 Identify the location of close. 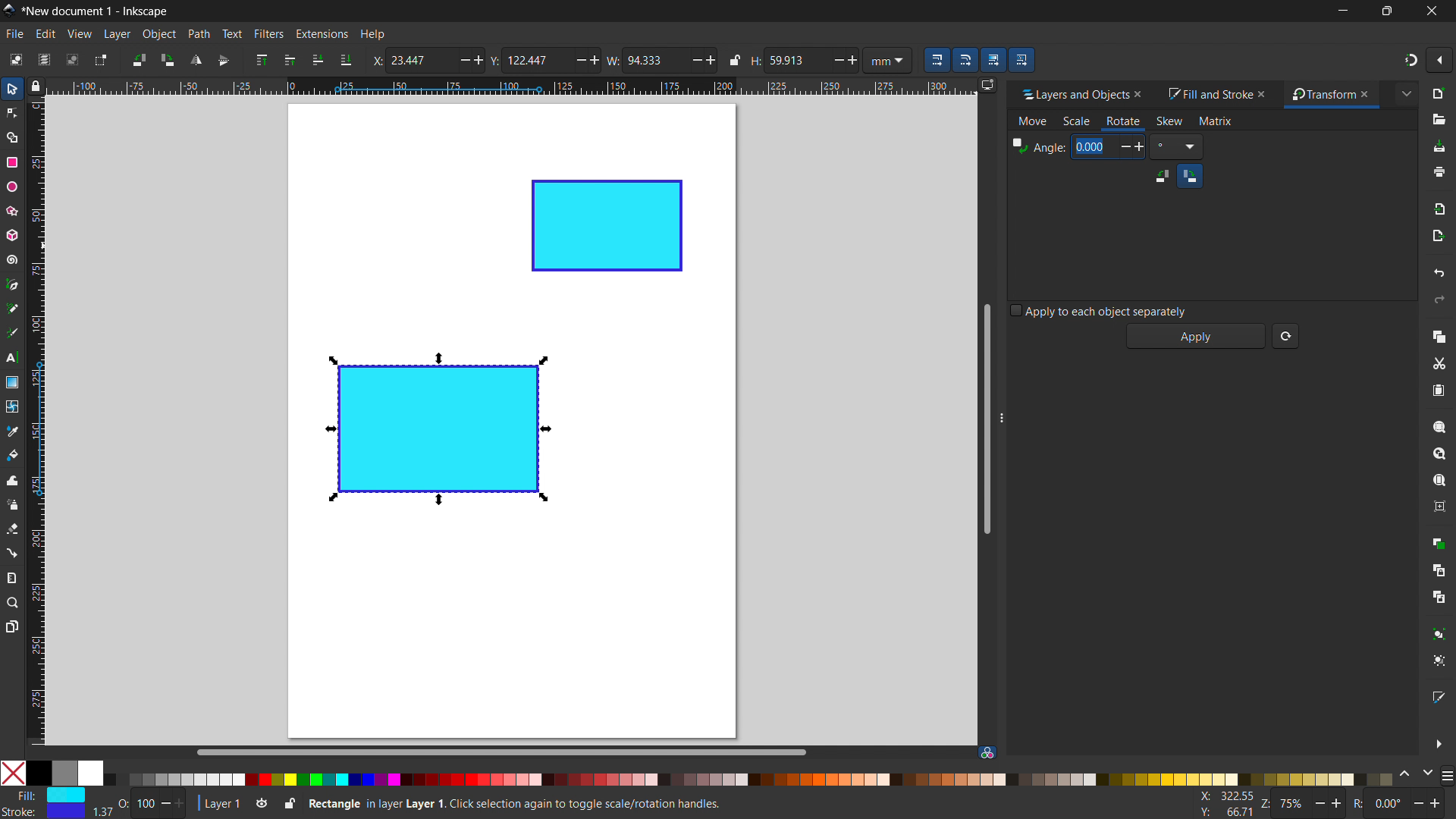
(1430, 11).